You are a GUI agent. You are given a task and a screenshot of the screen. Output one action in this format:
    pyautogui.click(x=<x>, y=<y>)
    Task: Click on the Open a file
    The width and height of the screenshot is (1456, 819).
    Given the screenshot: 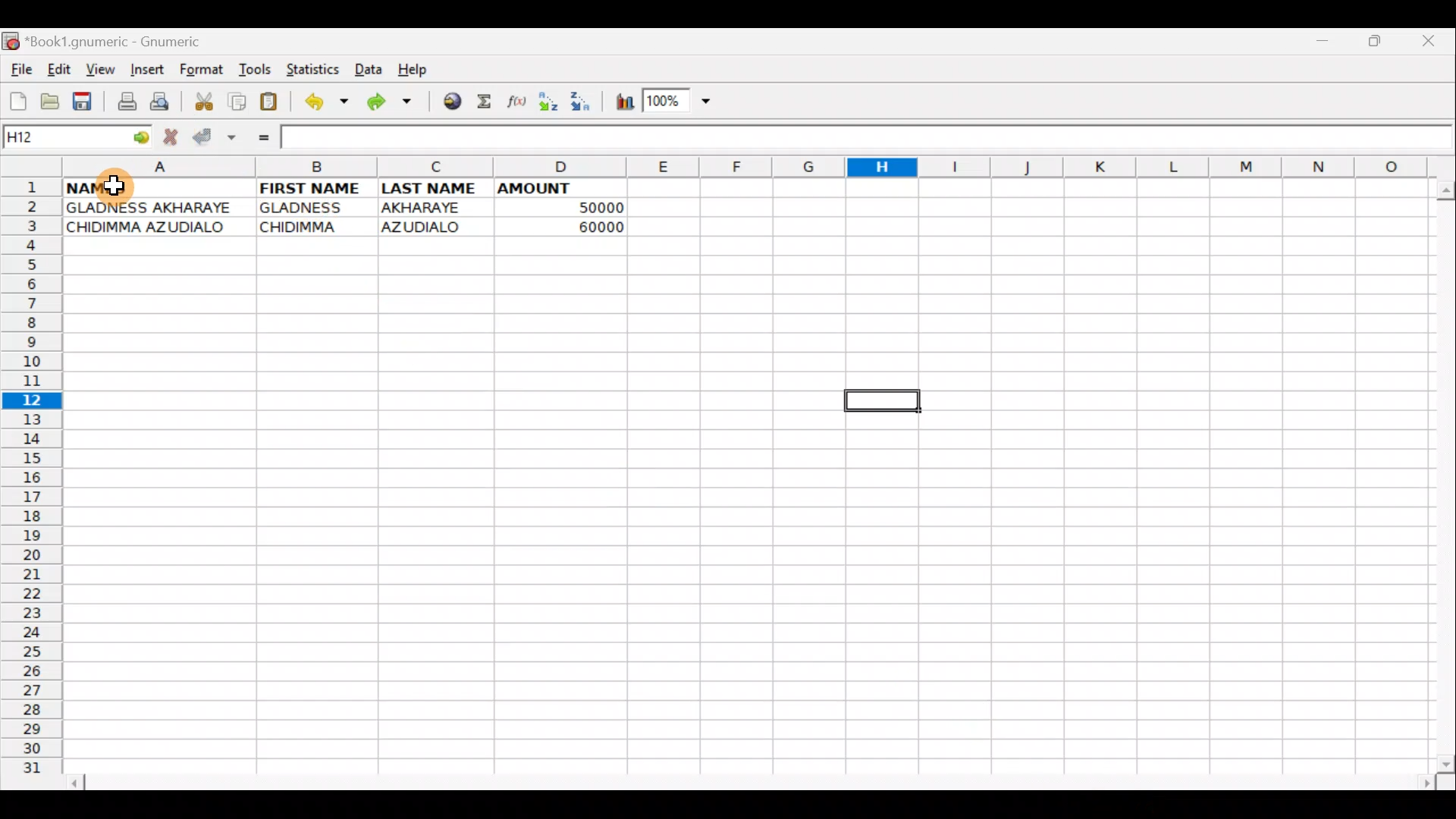 What is the action you would take?
    pyautogui.click(x=52, y=101)
    